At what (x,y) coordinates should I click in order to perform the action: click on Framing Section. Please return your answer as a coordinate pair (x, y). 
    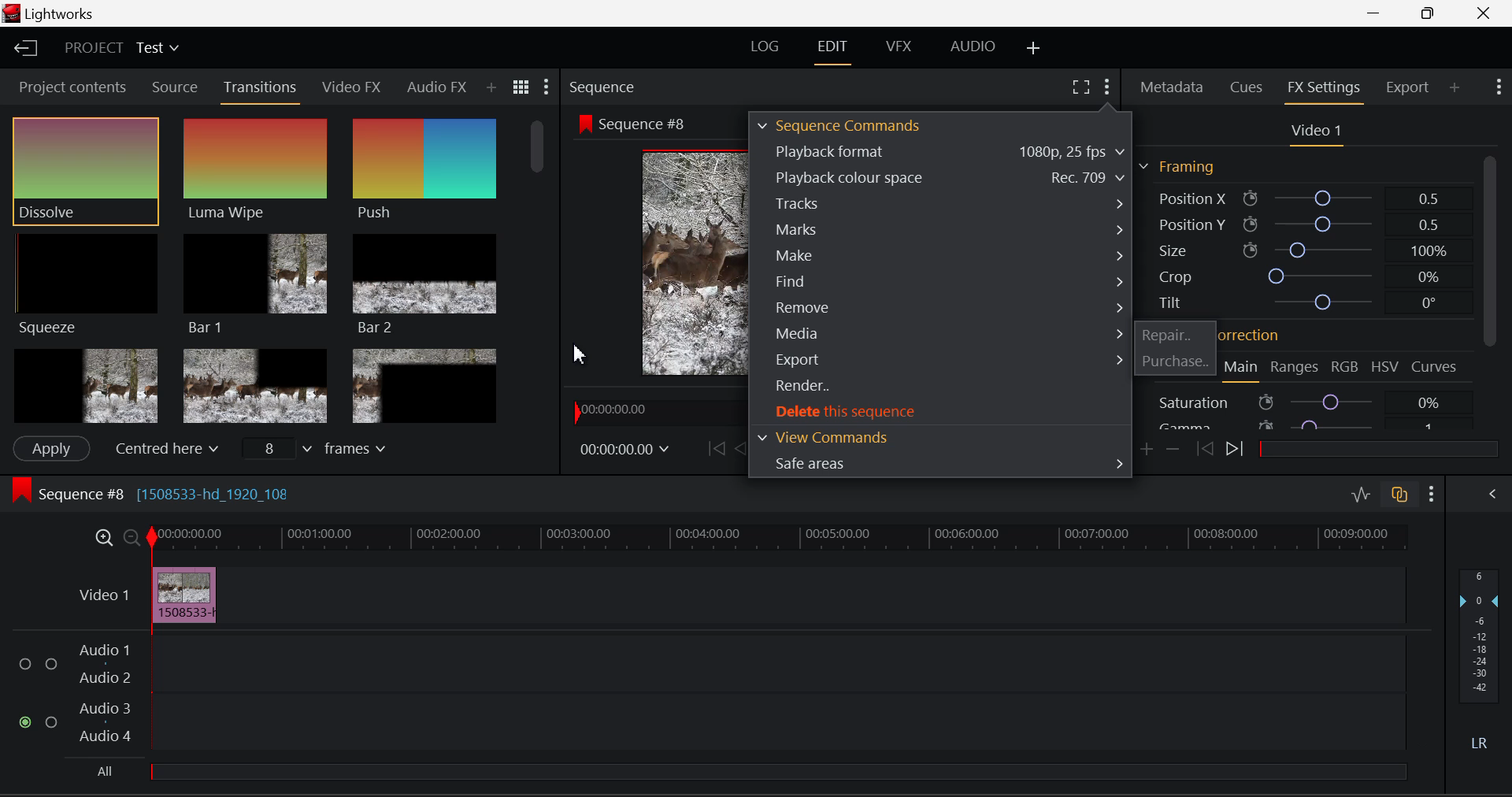
    Looking at the image, I should click on (1177, 167).